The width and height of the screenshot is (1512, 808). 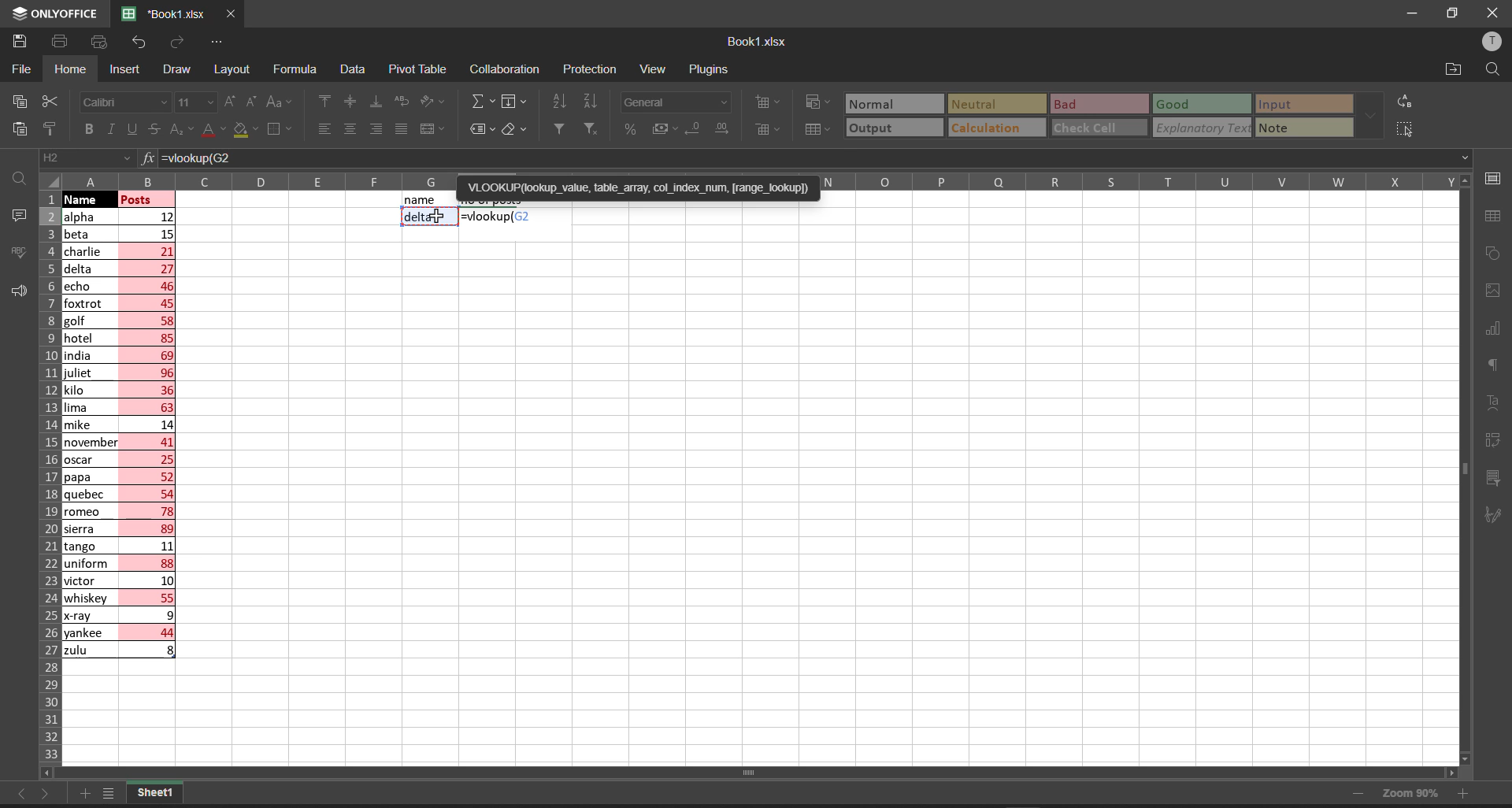 I want to click on font, so click(x=124, y=101).